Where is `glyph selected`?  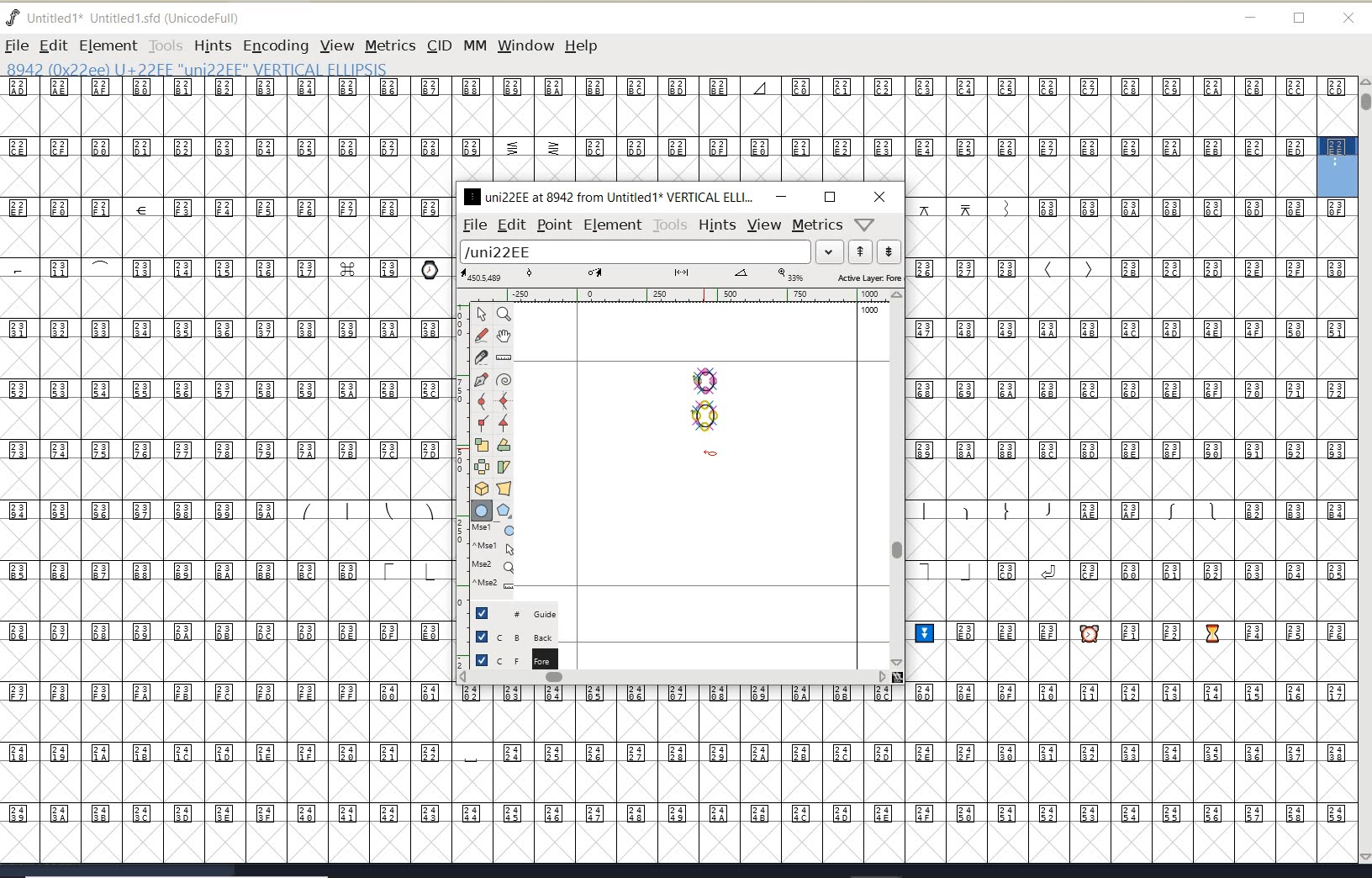
glyph selected is located at coordinates (1338, 167).